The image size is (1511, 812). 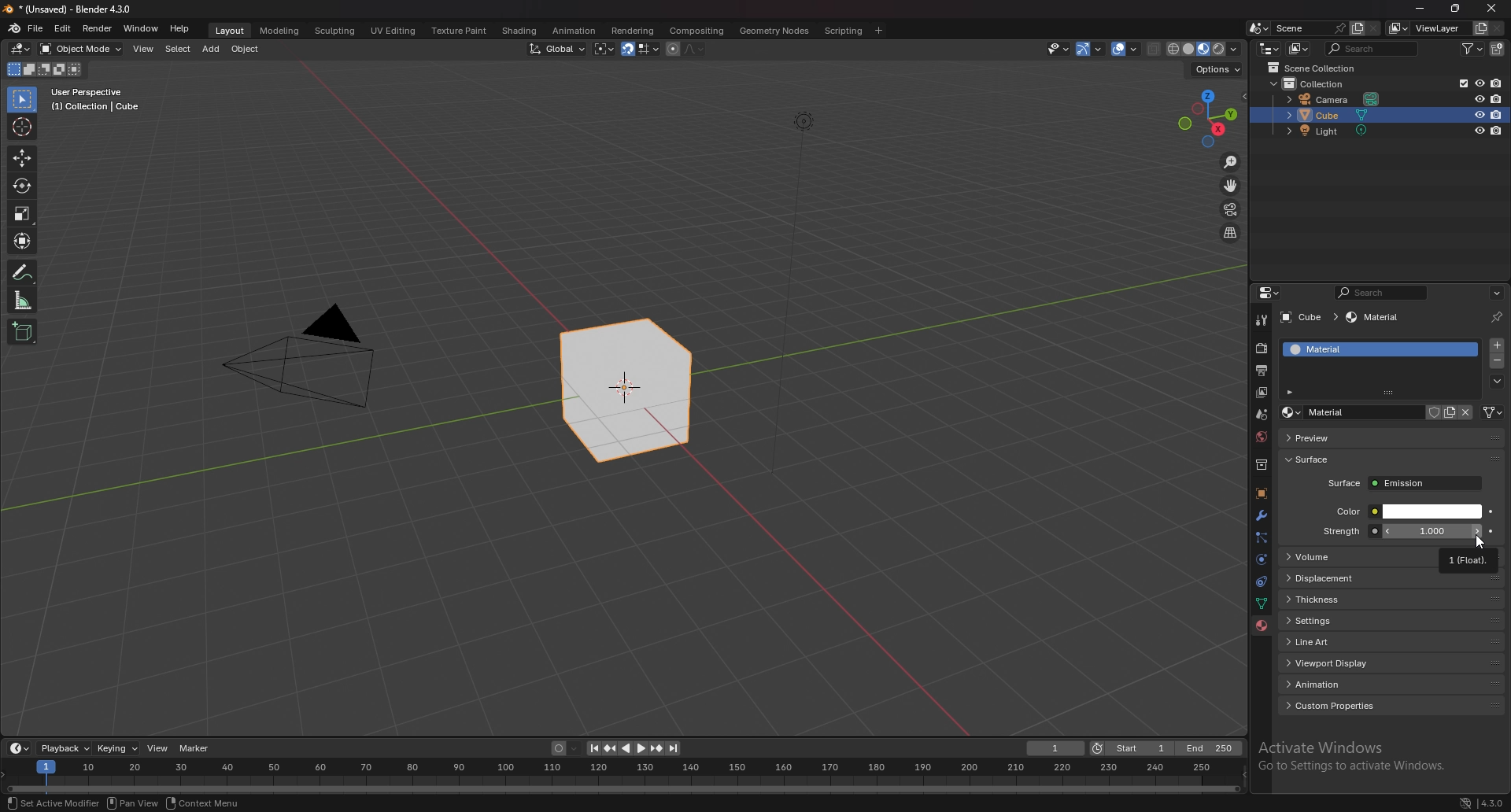 I want to click on reduce strength, so click(x=1387, y=531).